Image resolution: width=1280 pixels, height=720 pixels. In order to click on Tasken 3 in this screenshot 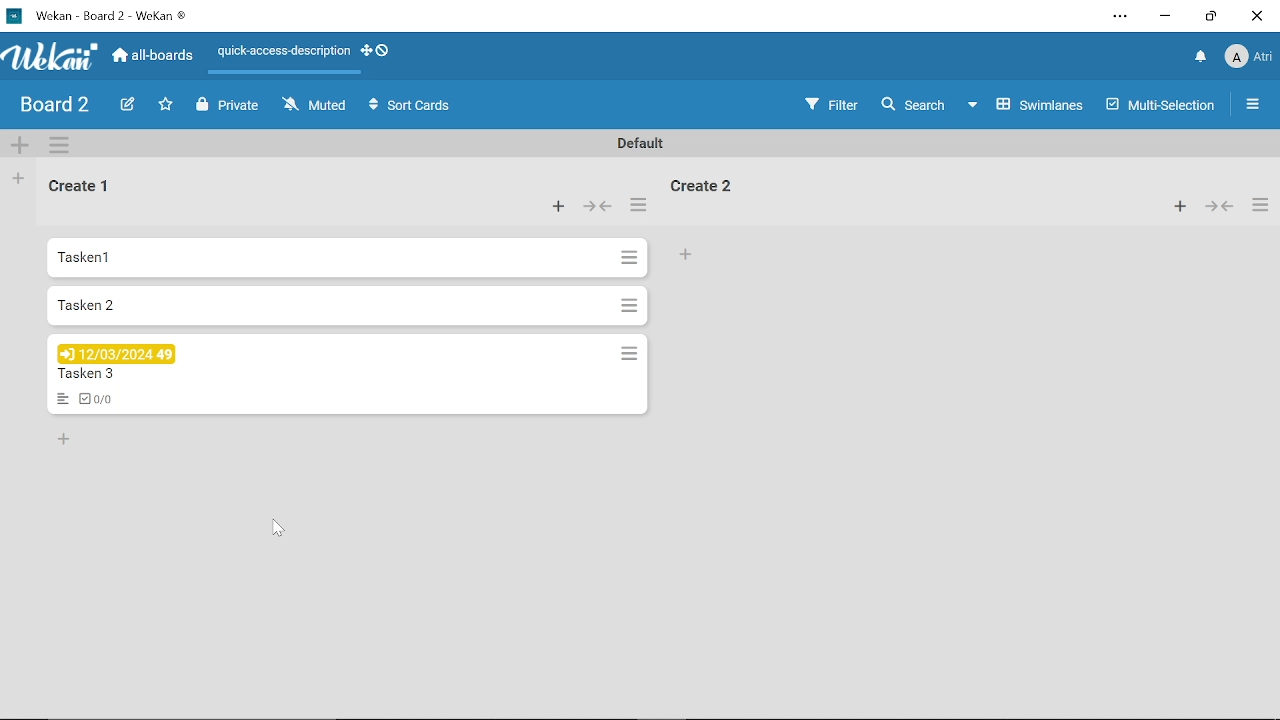, I will do `click(348, 376)`.